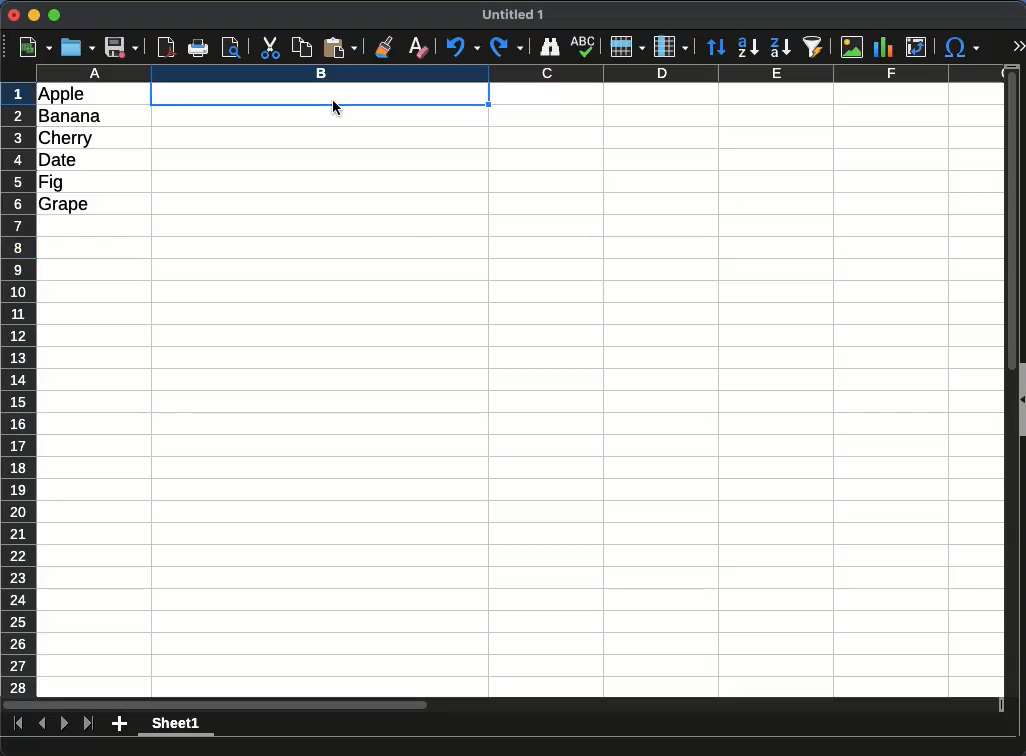  I want to click on close, so click(14, 15).